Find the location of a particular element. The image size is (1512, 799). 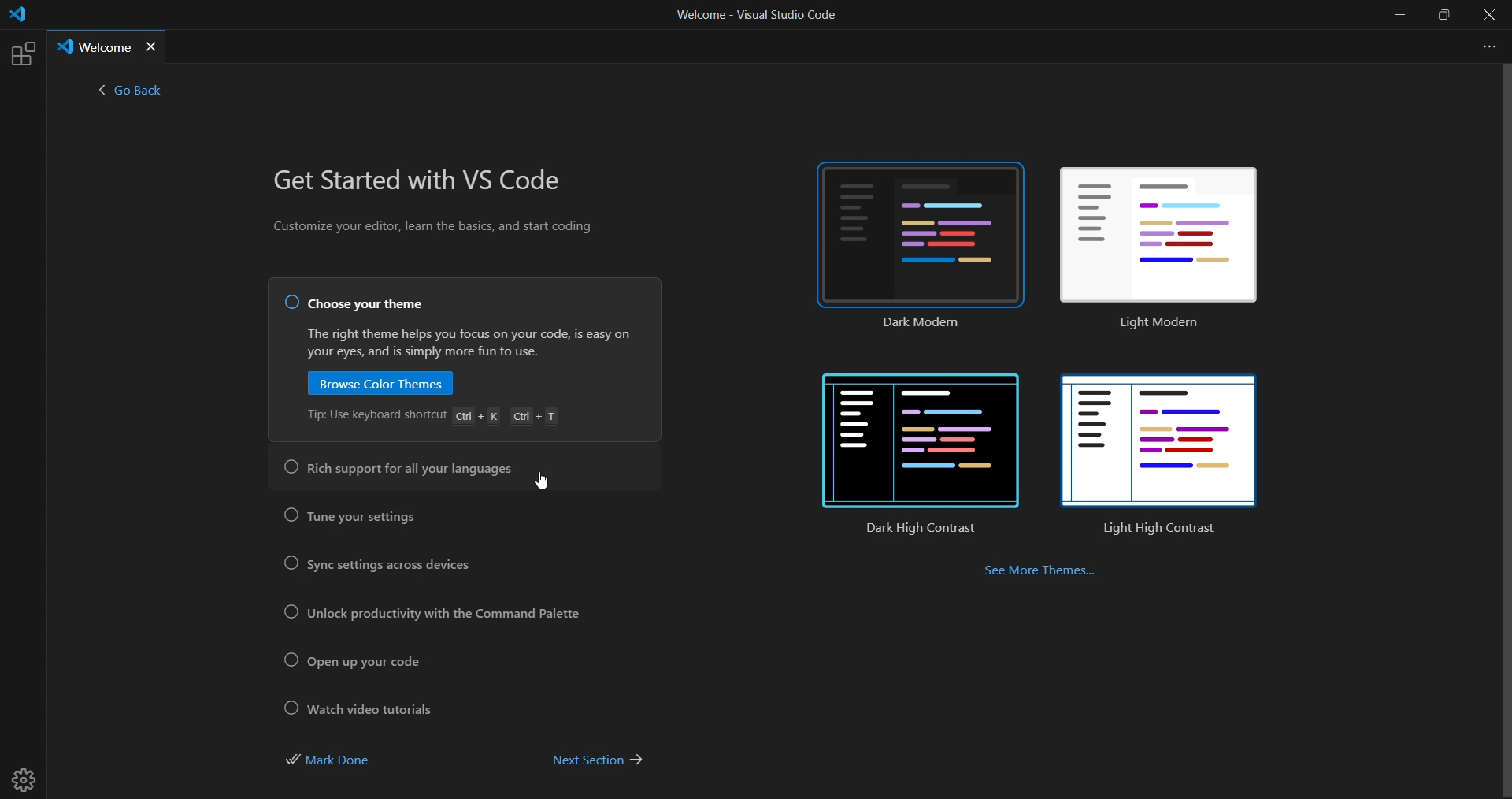

choose your theme is located at coordinates (354, 303).